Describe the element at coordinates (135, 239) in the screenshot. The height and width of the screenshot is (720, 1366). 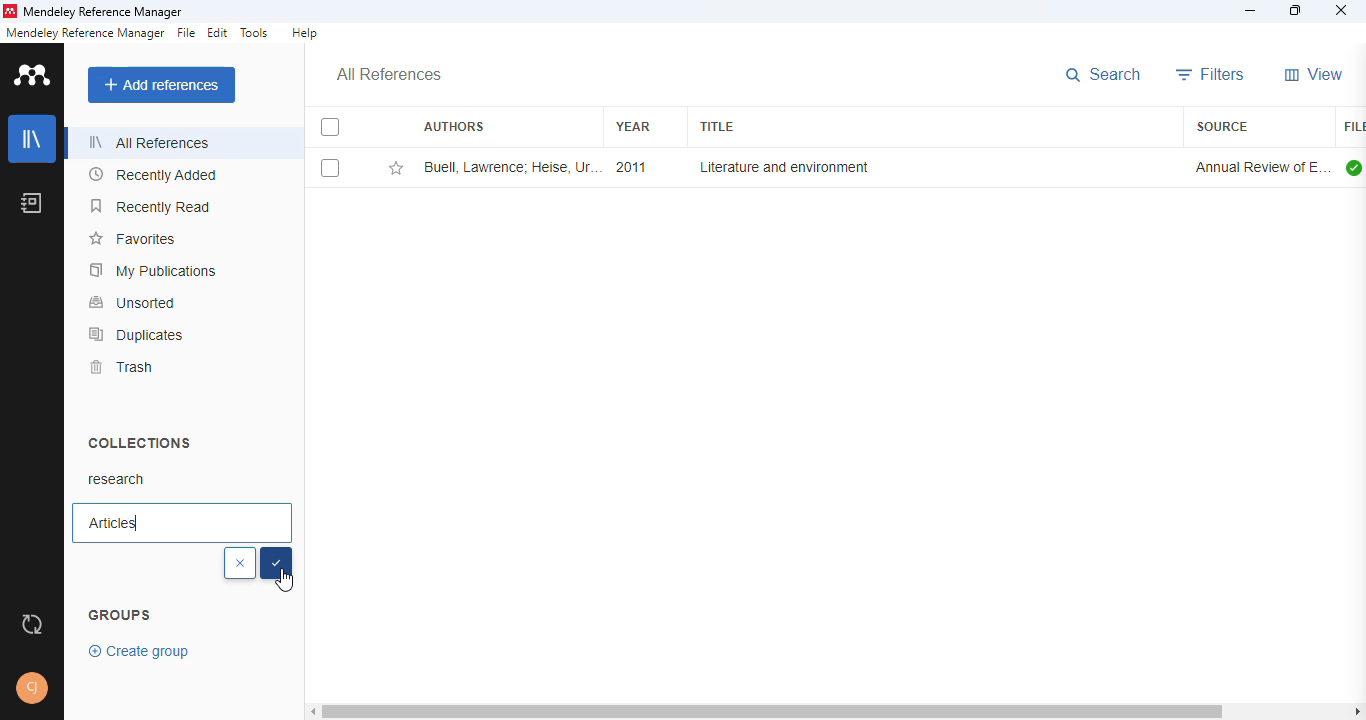
I see `favorites` at that location.